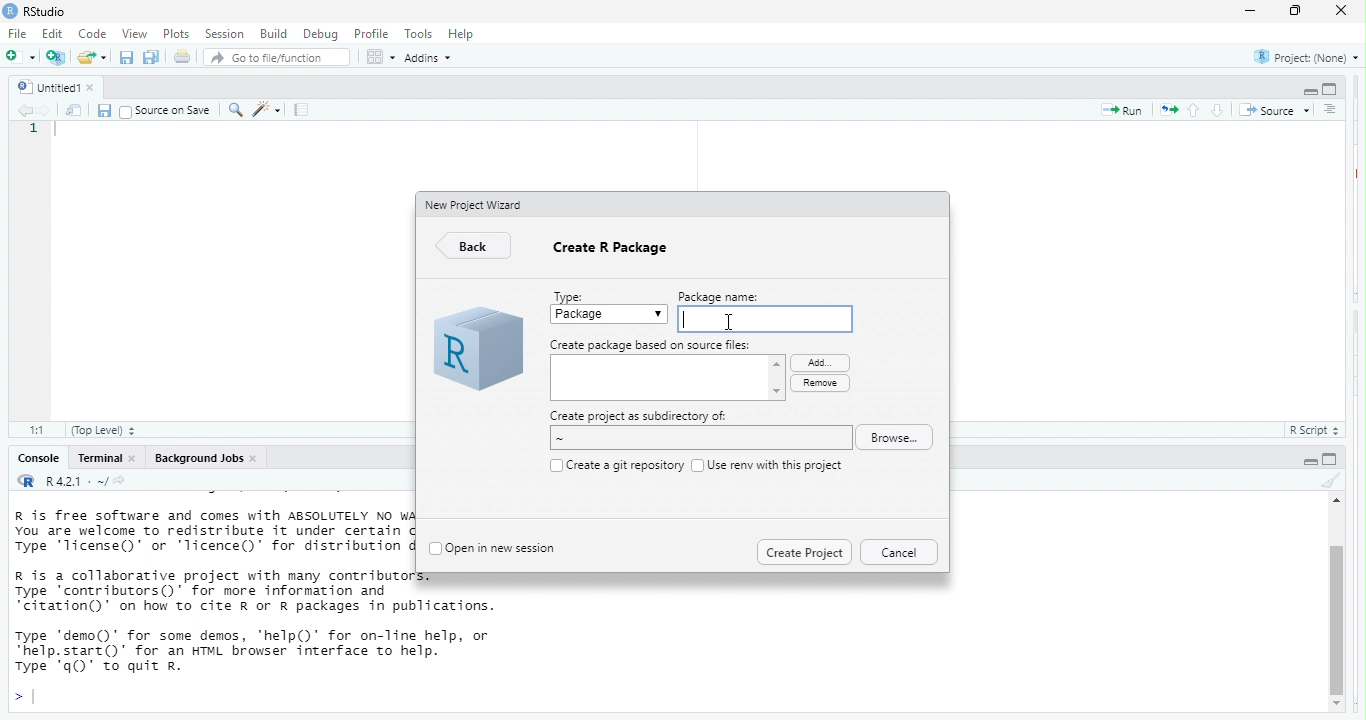  What do you see at coordinates (20, 35) in the screenshot?
I see `file` at bounding box center [20, 35].